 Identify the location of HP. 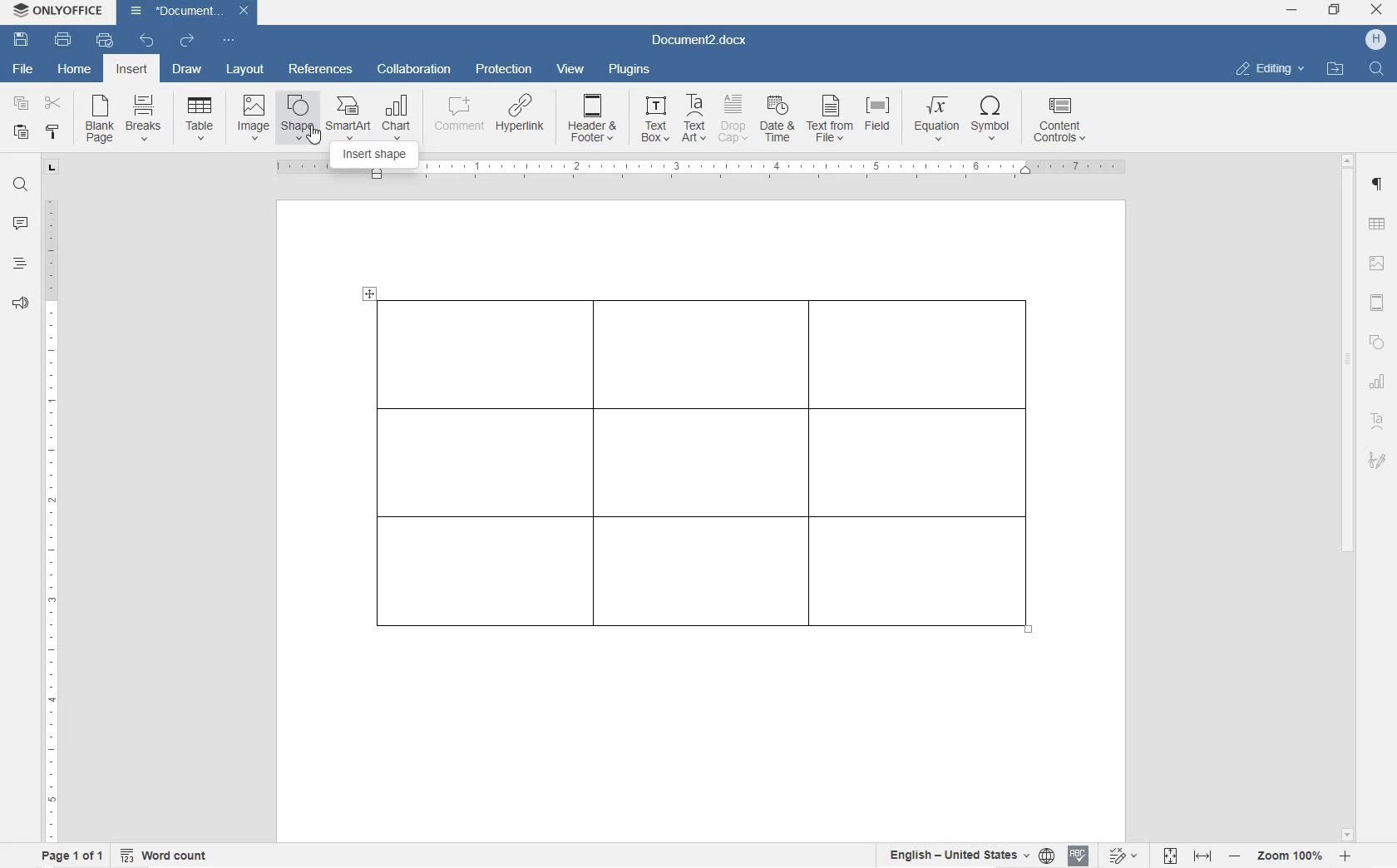
(1375, 40).